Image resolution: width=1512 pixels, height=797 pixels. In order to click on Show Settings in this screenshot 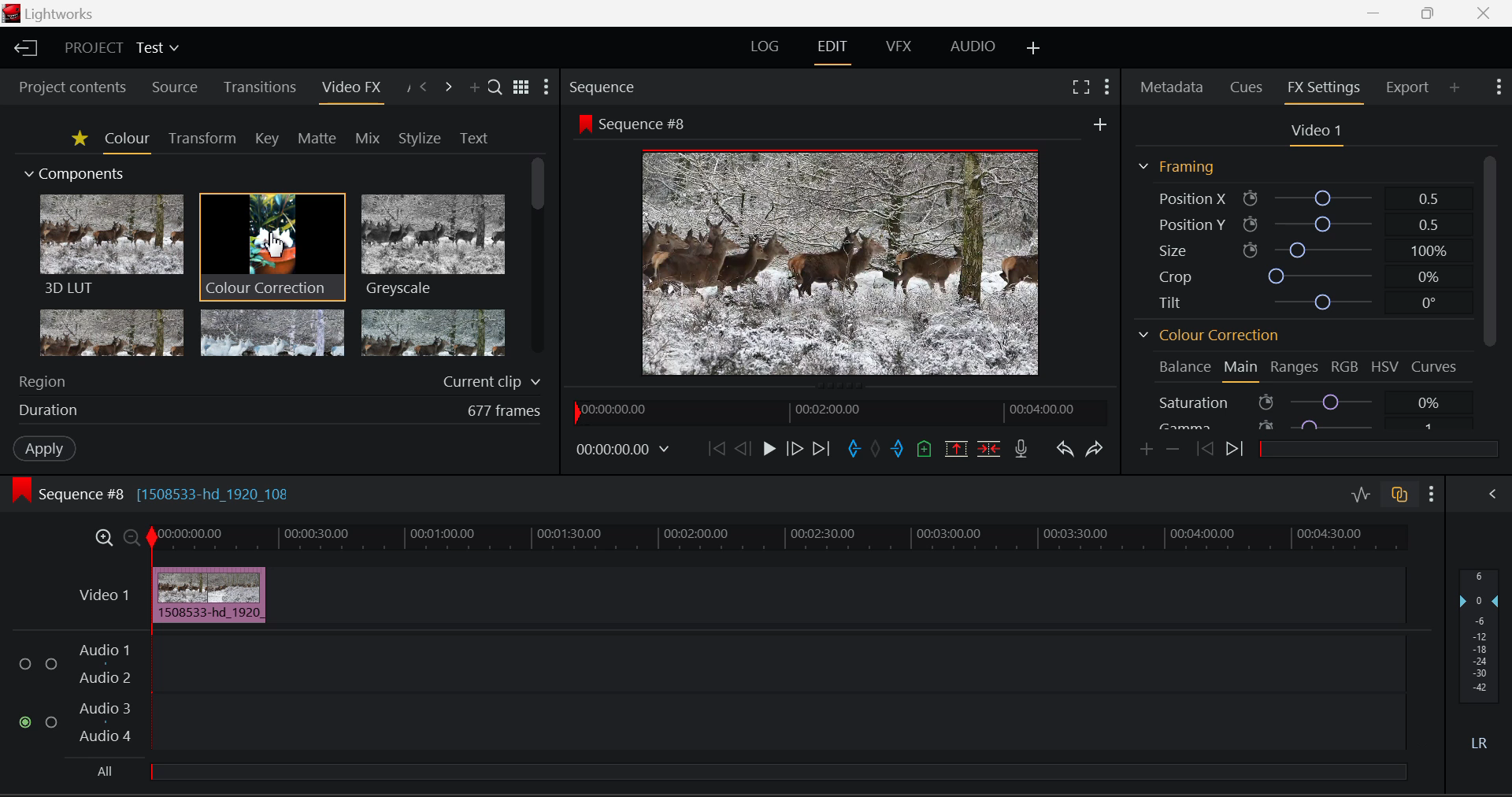, I will do `click(547, 87)`.